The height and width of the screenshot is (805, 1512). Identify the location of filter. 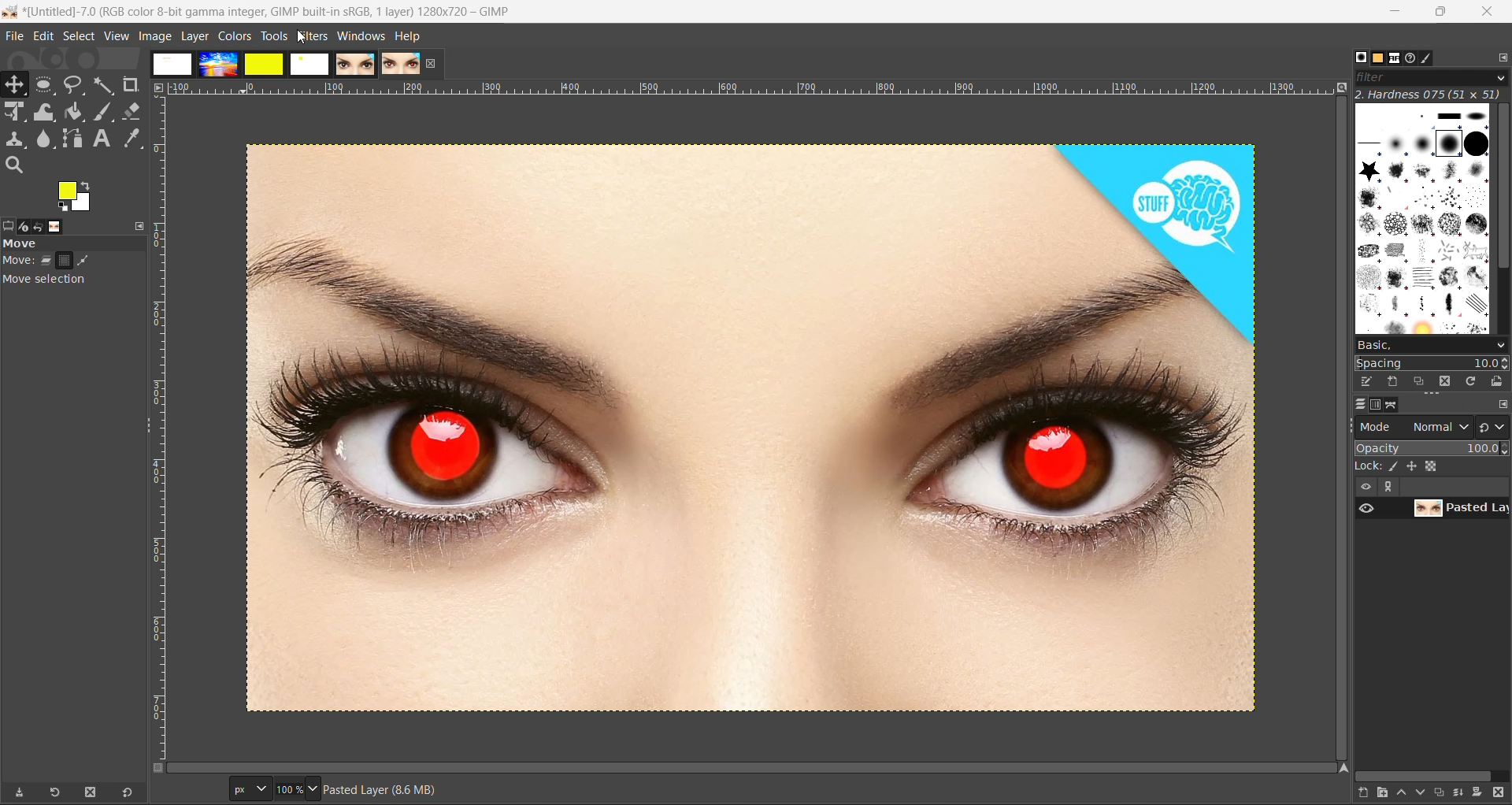
(1432, 78).